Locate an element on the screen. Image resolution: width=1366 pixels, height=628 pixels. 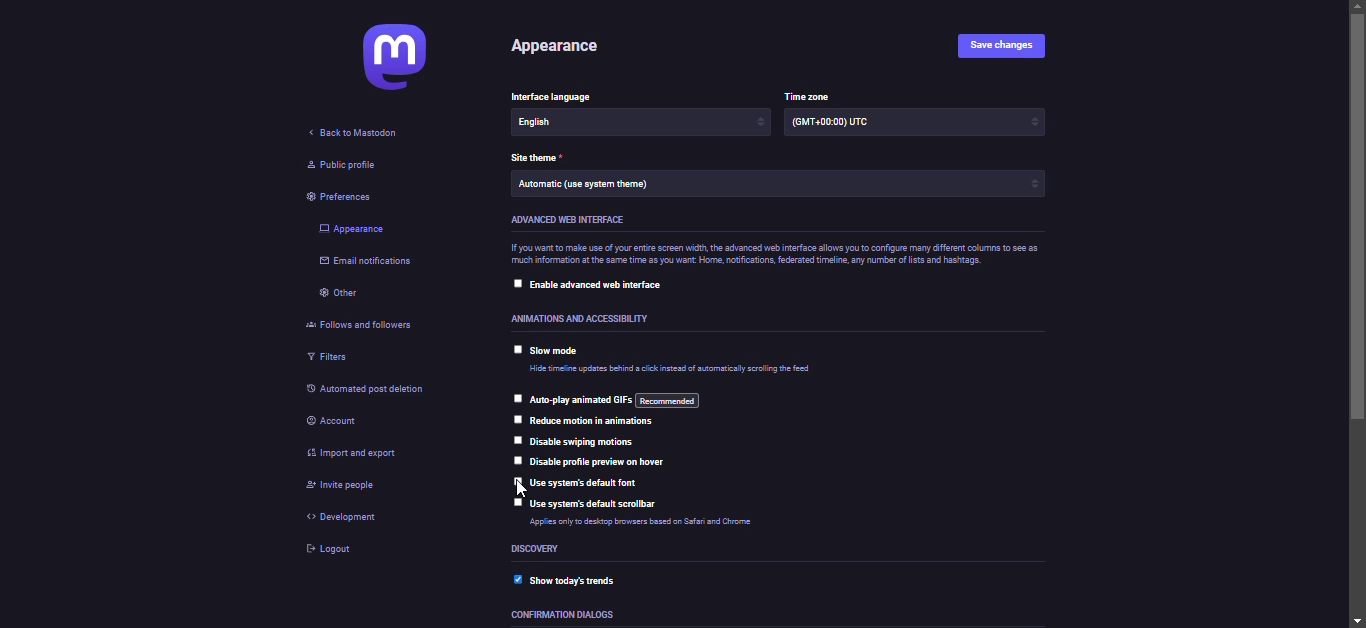
back to mastodon is located at coordinates (359, 135).